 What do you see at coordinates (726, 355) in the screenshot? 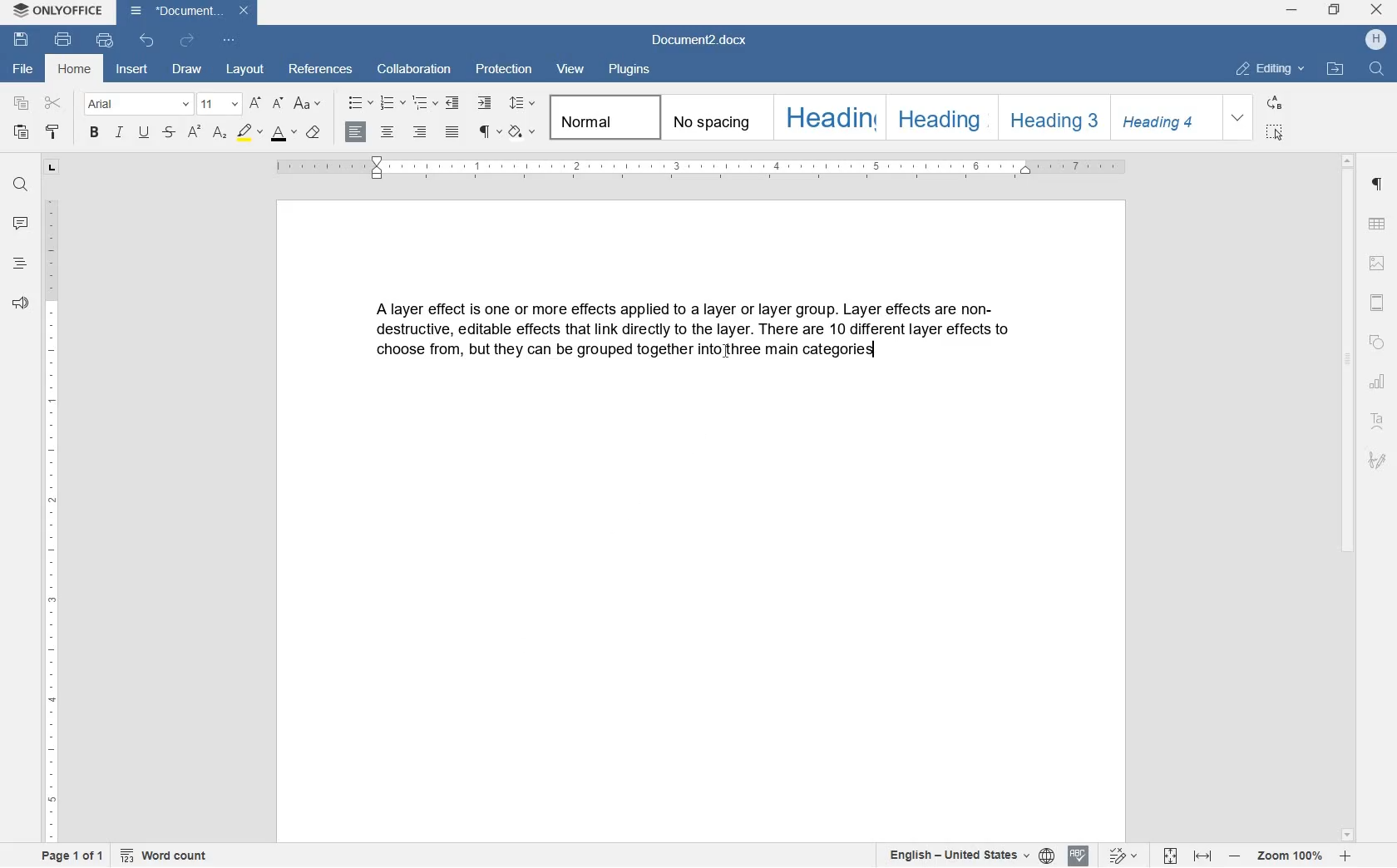
I see `CURSOR` at bounding box center [726, 355].